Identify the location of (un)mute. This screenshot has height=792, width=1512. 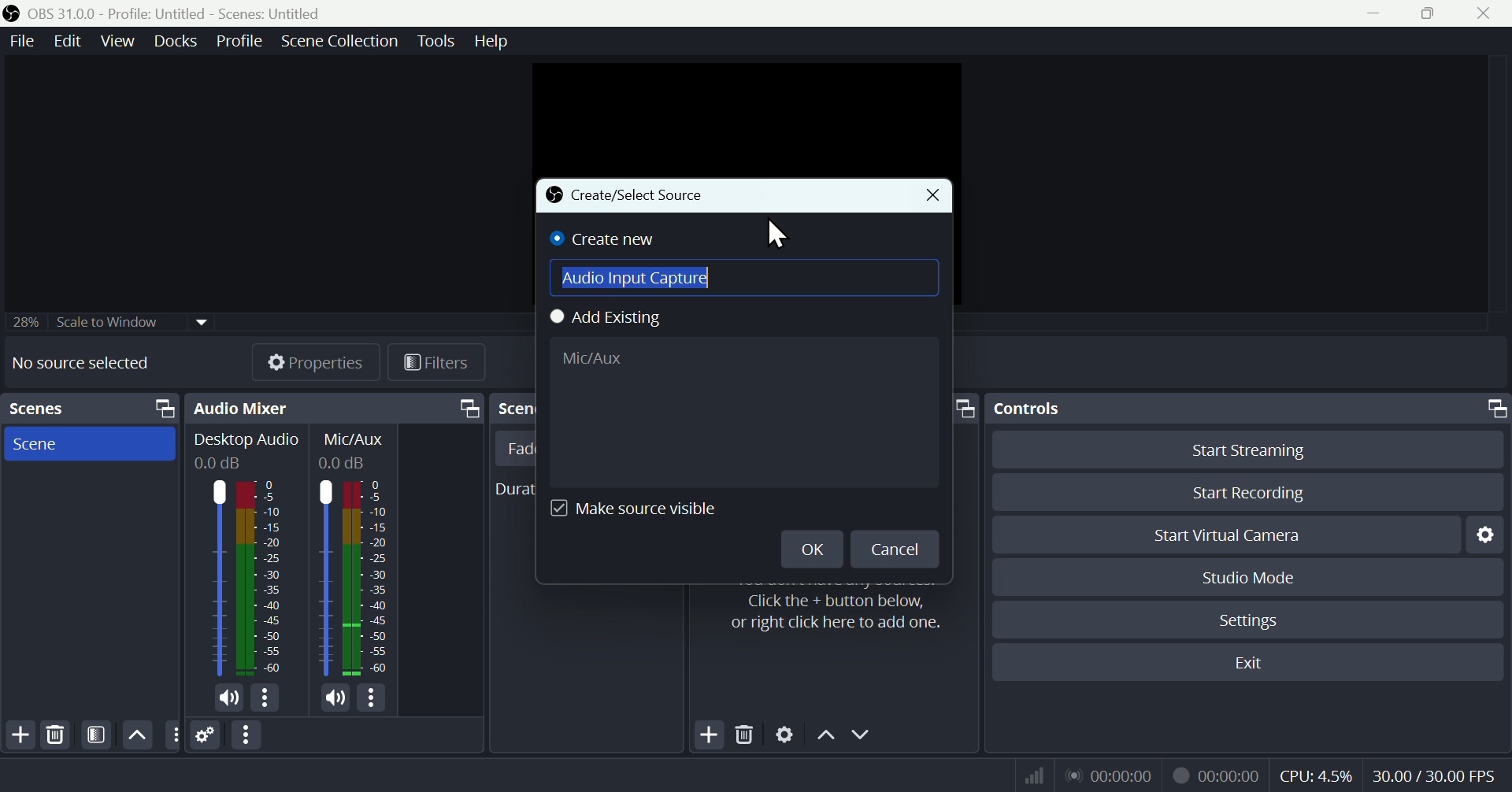
(335, 698).